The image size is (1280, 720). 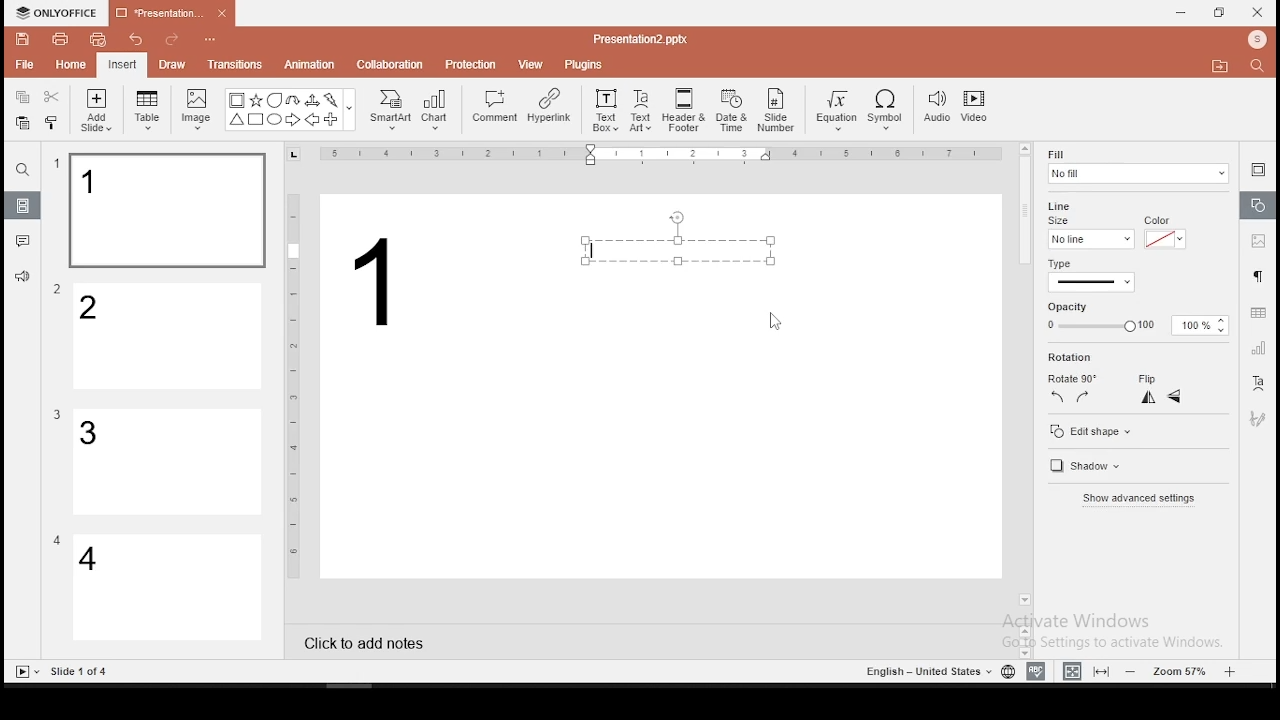 I want to click on header and footer, so click(x=686, y=111).